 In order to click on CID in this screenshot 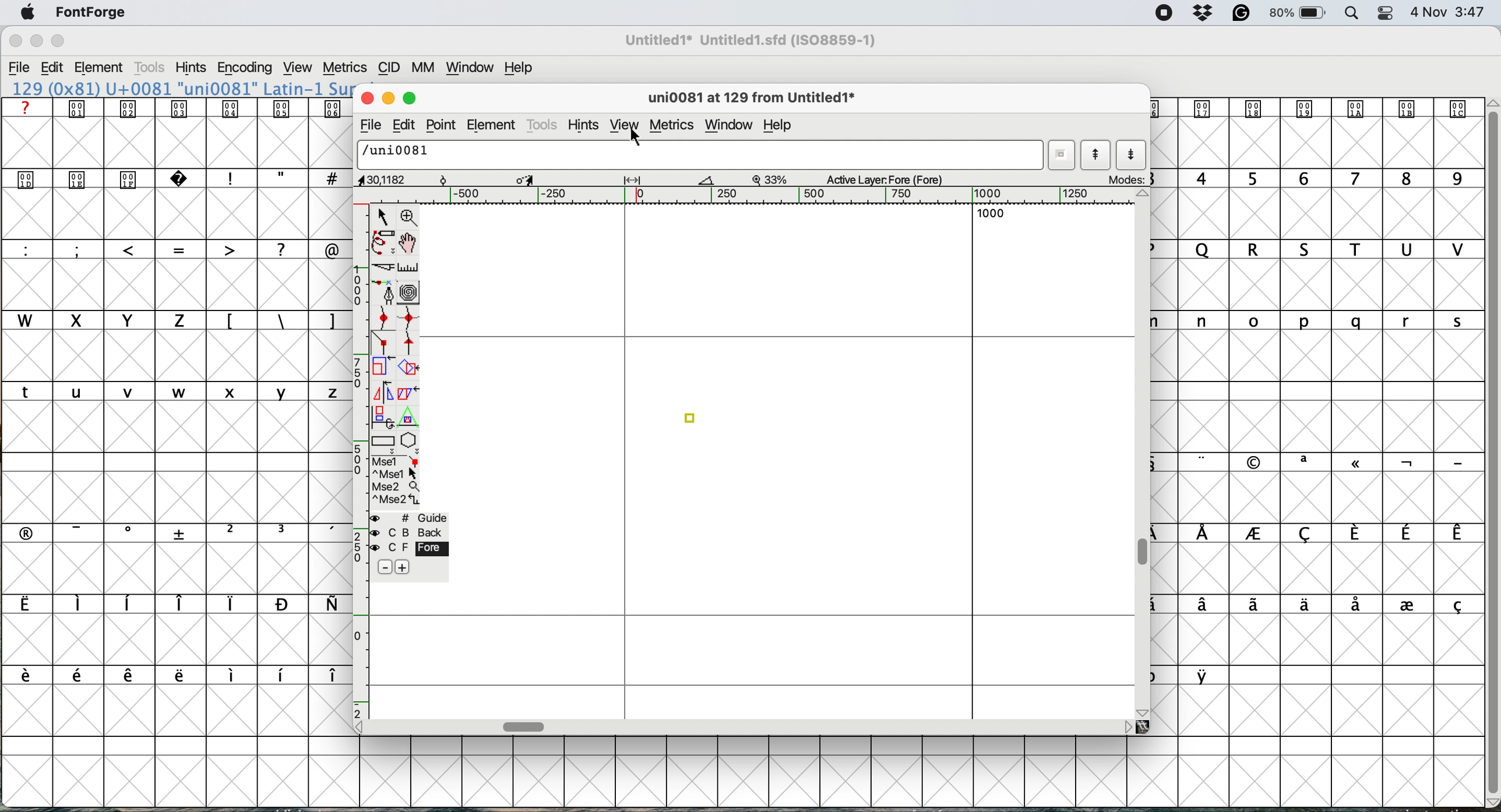, I will do `click(389, 69)`.